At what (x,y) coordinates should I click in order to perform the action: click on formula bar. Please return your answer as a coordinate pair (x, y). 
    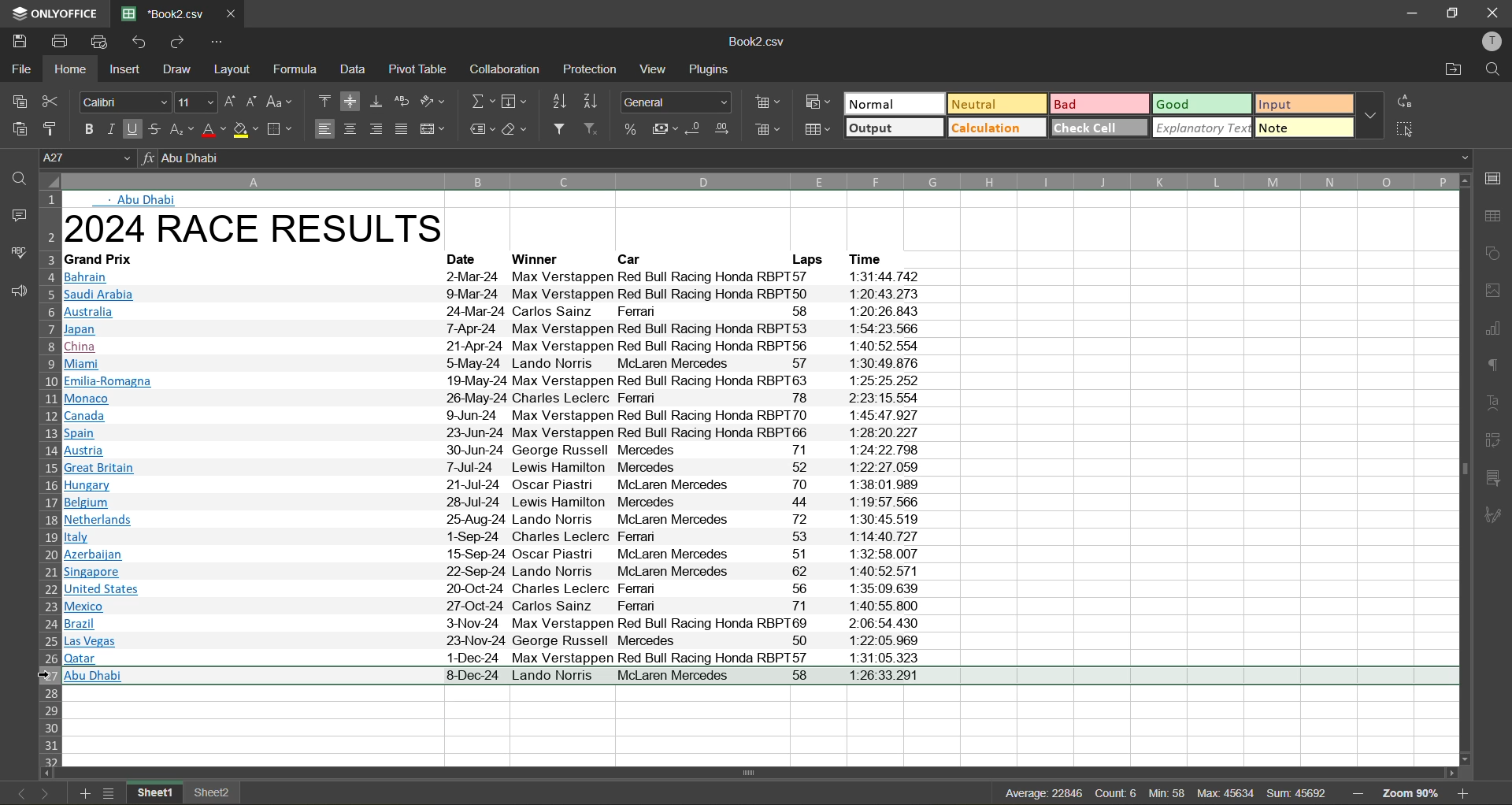
    Looking at the image, I should click on (807, 158).